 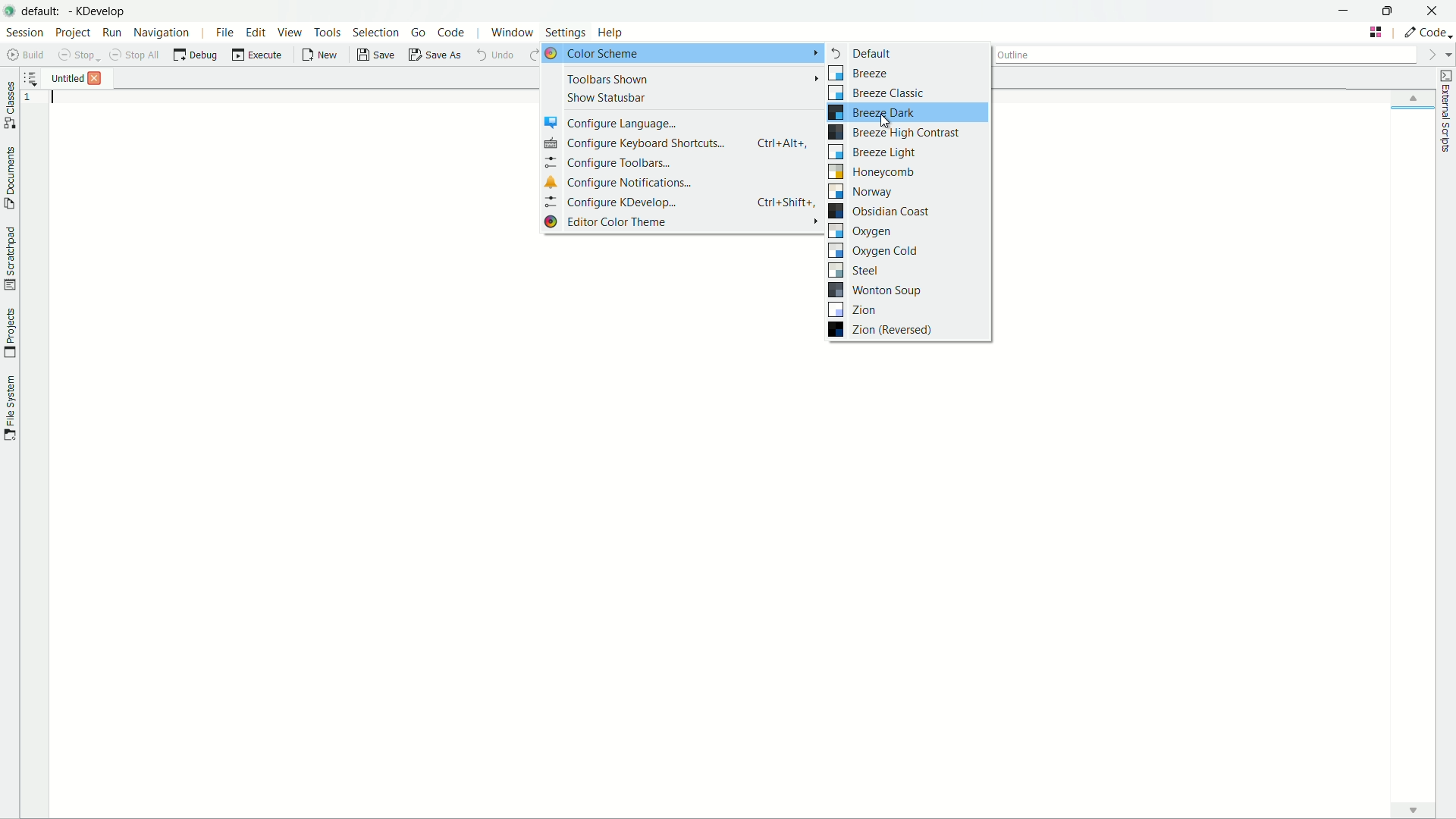 I want to click on toggle classes, so click(x=10, y=106).